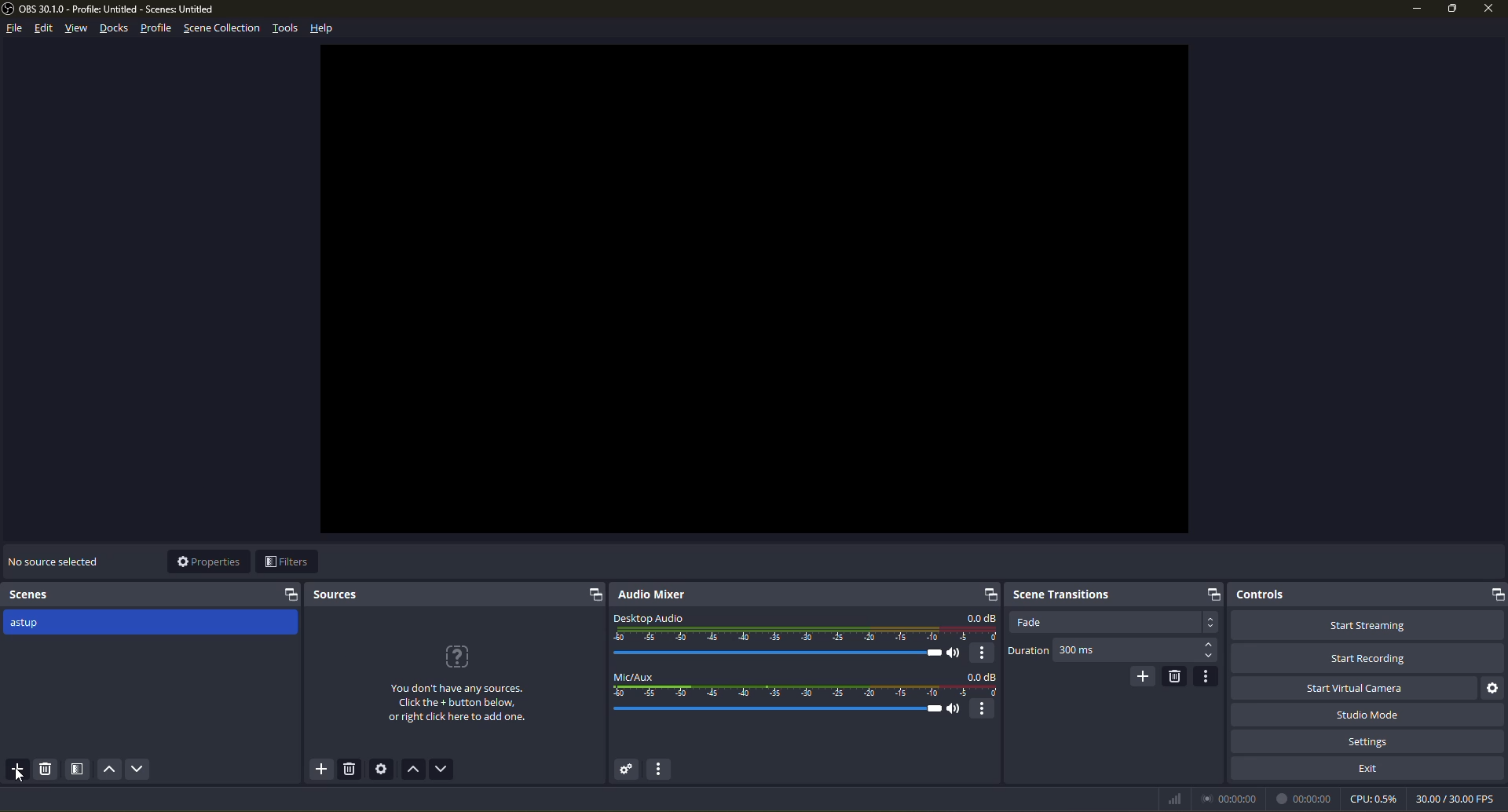  What do you see at coordinates (1034, 622) in the screenshot?
I see `fade` at bounding box center [1034, 622].